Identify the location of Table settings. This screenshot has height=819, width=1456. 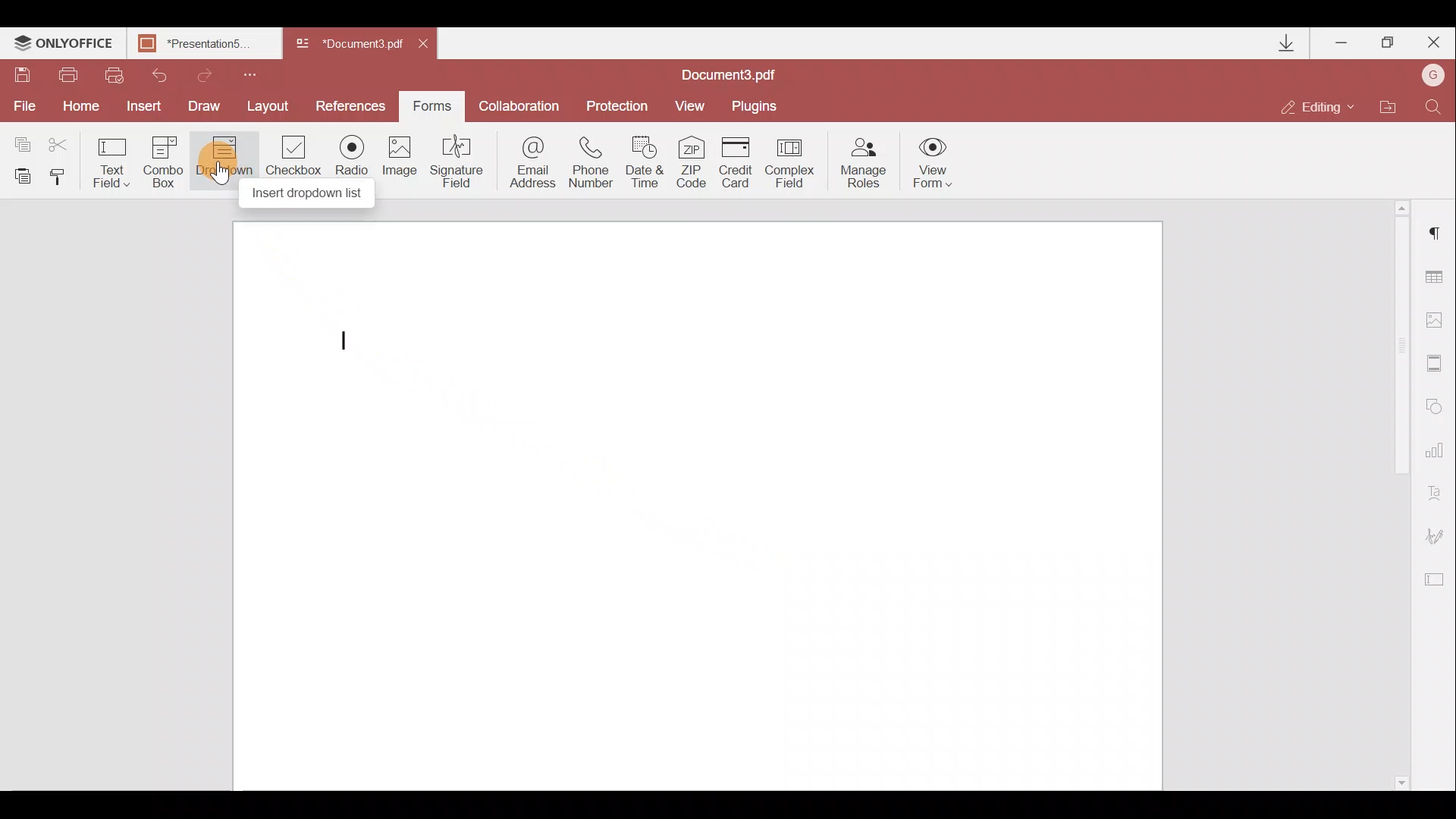
(1441, 277).